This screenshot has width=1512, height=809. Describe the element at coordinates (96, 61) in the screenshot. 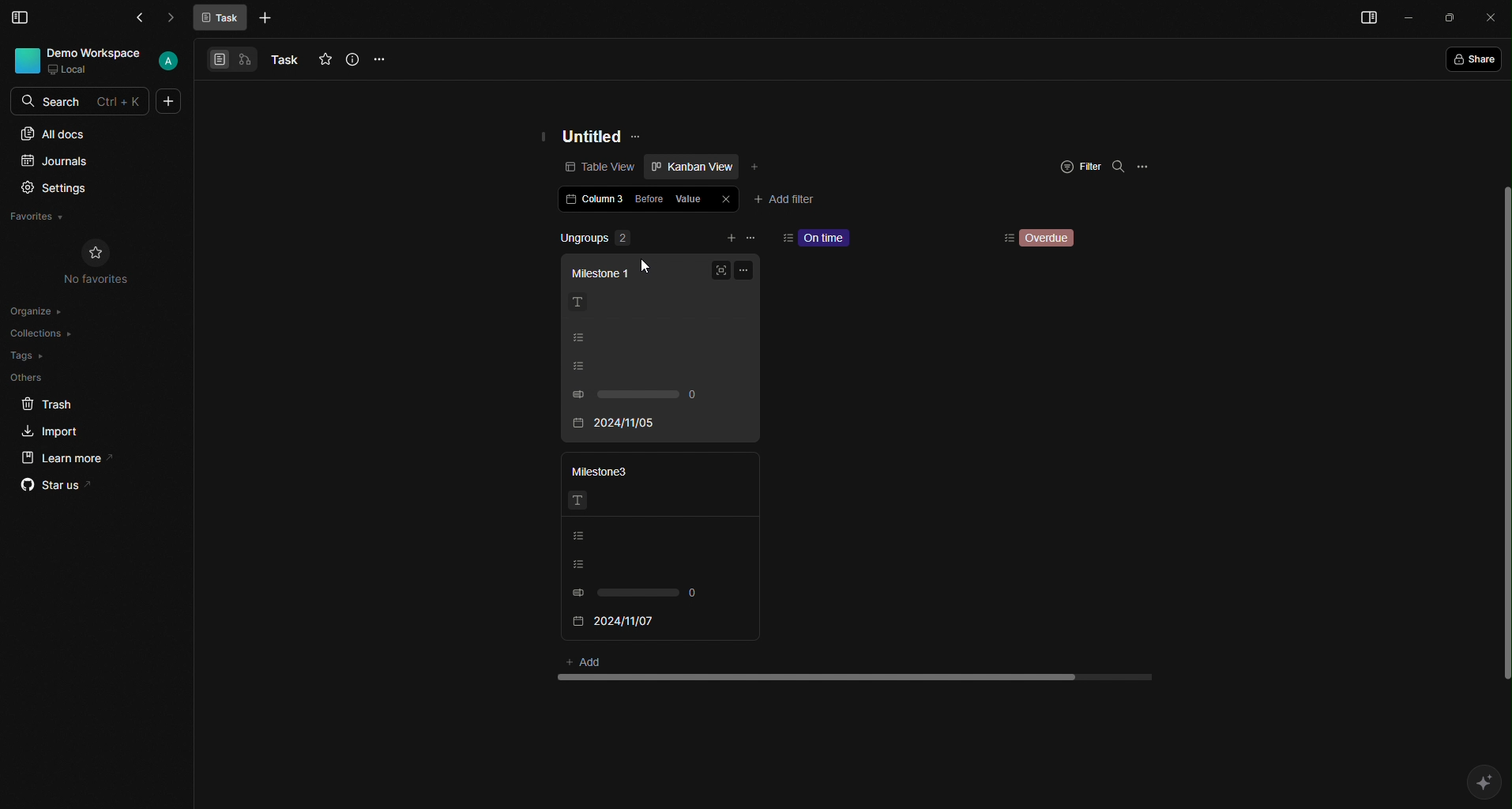

I see `User` at that location.